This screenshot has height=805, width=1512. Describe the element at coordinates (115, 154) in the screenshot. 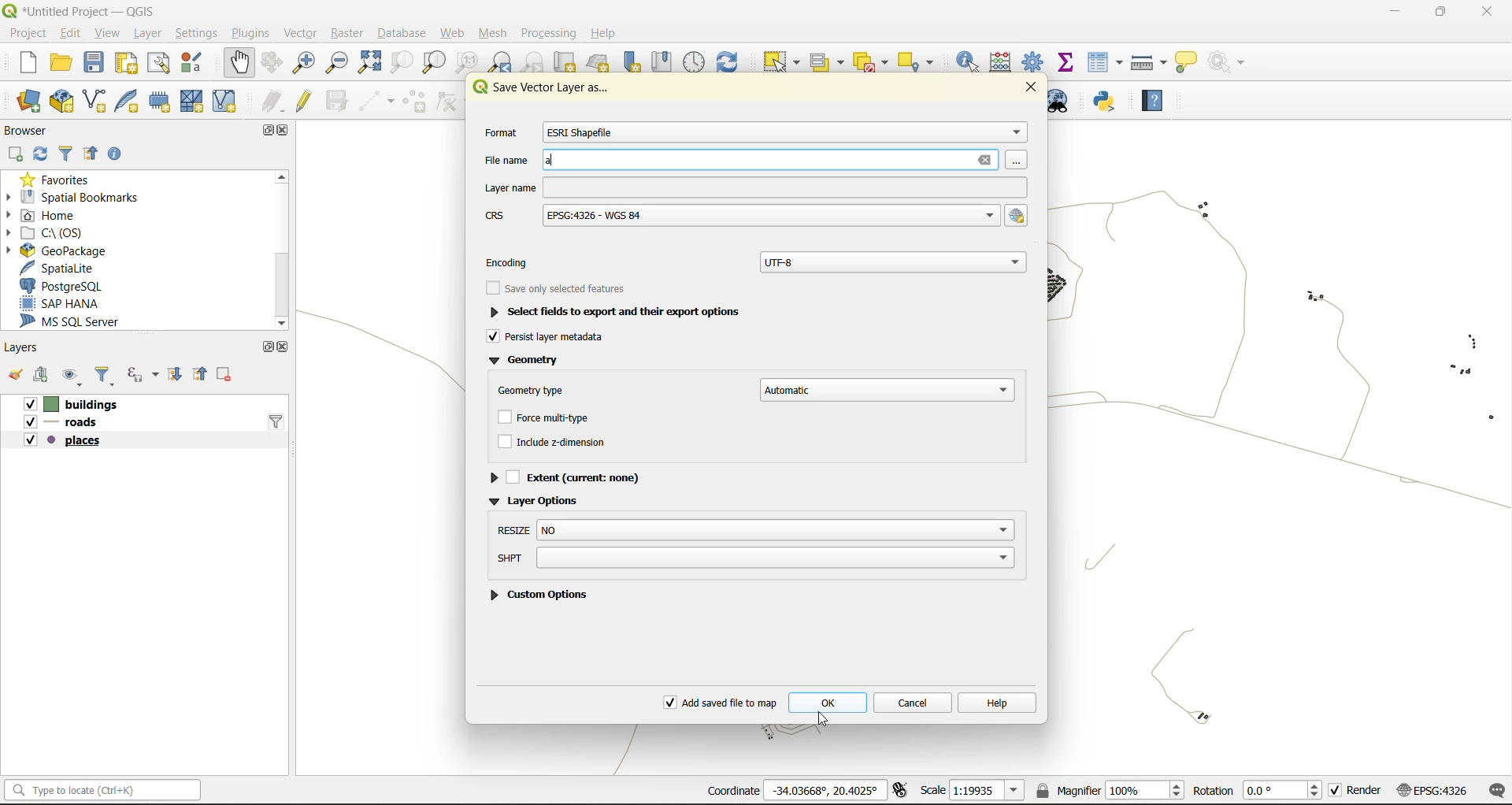

I see `enable properties` at that location.